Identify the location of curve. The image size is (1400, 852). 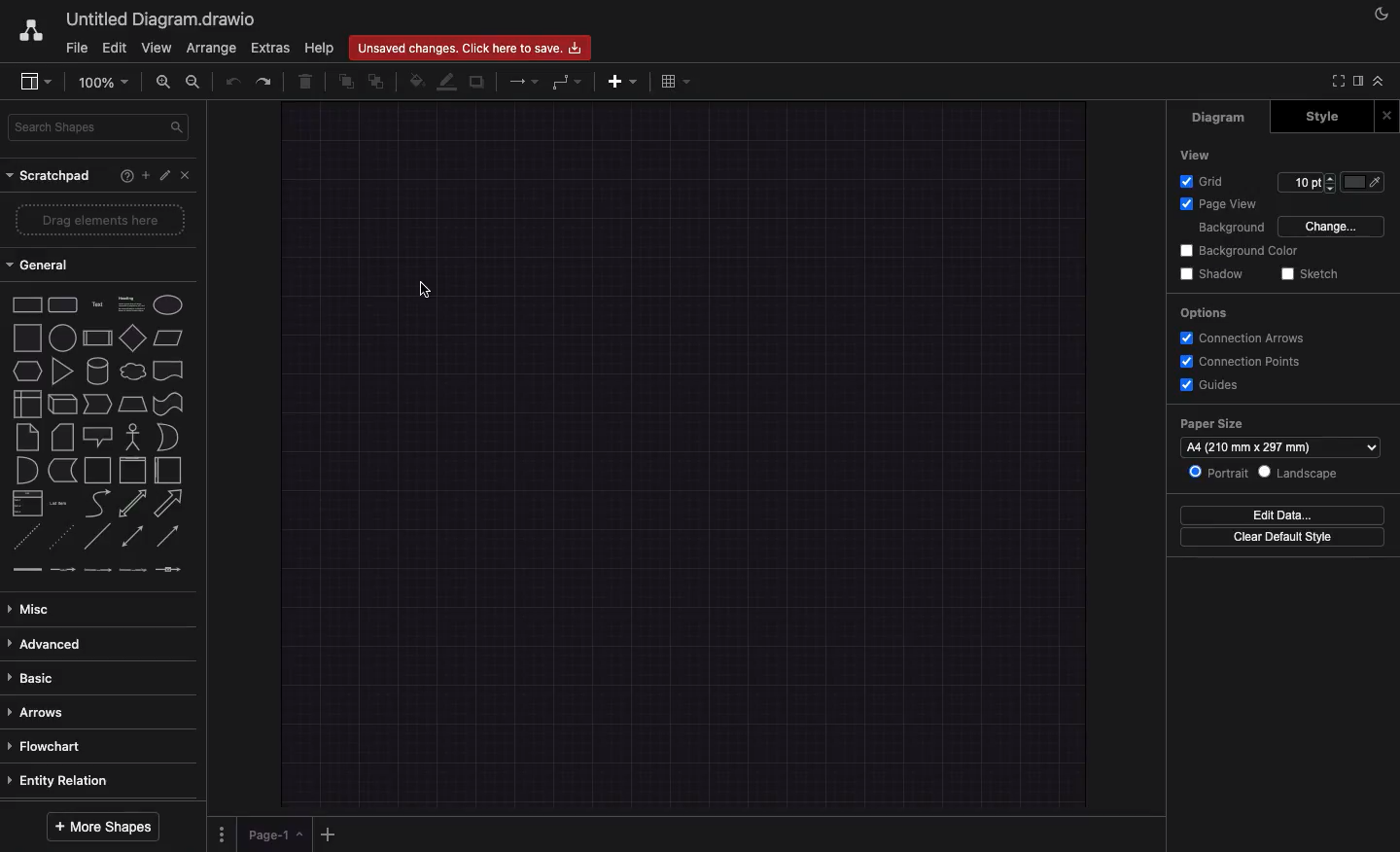
(96, 504).